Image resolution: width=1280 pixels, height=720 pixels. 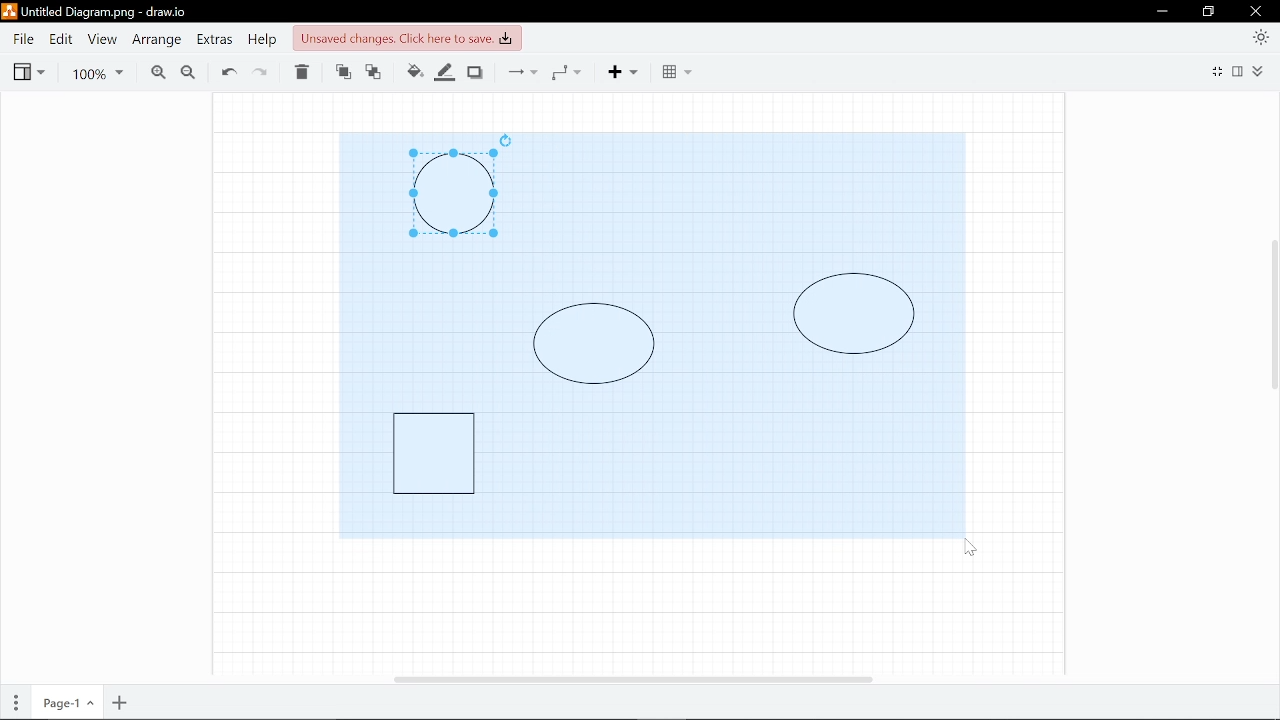 What do you see at coordinates (1257, 11) in the screenshot?
I see `Close window` at bounding box center [1257, 11].